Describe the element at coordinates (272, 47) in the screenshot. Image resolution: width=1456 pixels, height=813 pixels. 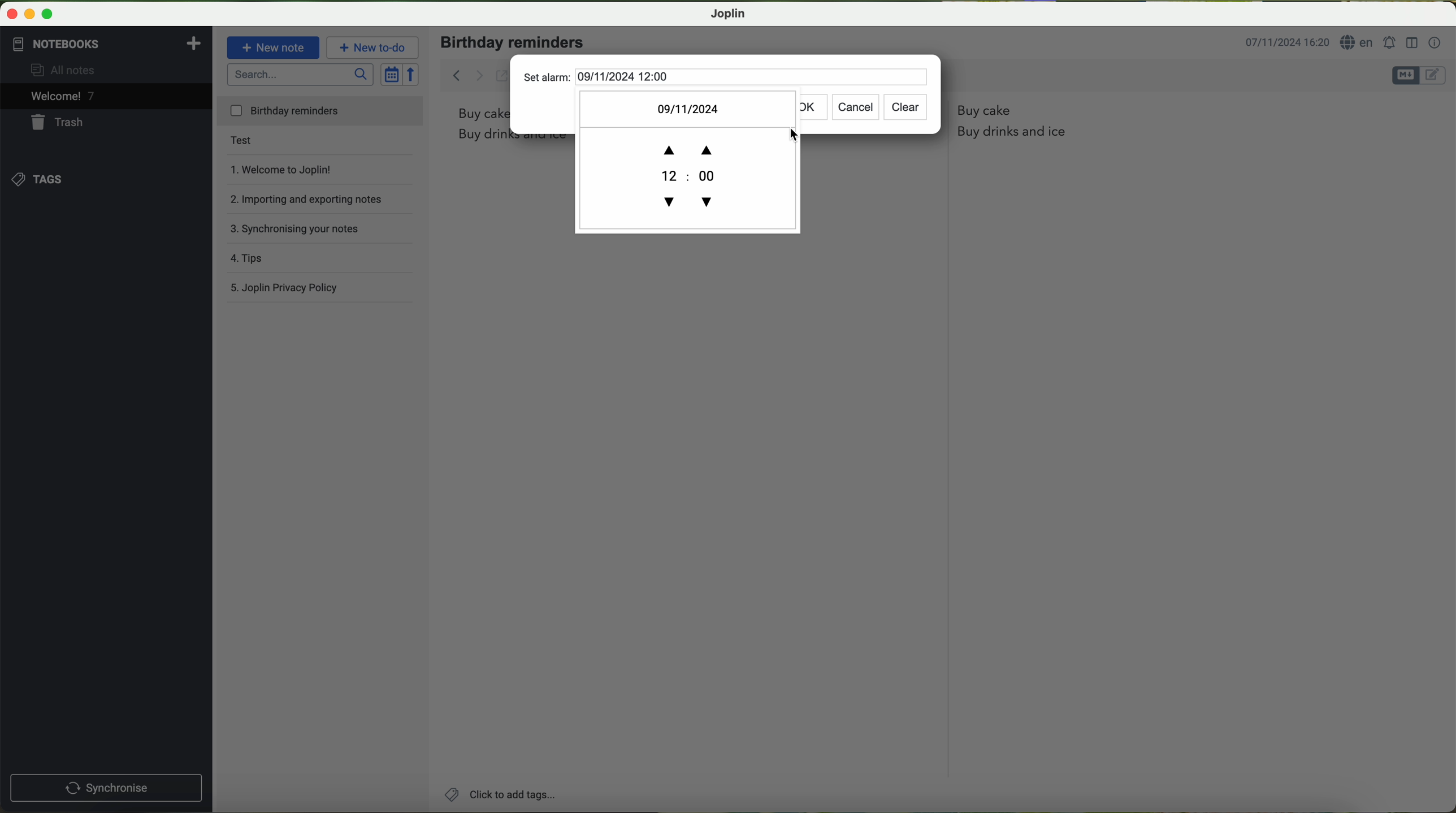
I see `new note button` at that location.